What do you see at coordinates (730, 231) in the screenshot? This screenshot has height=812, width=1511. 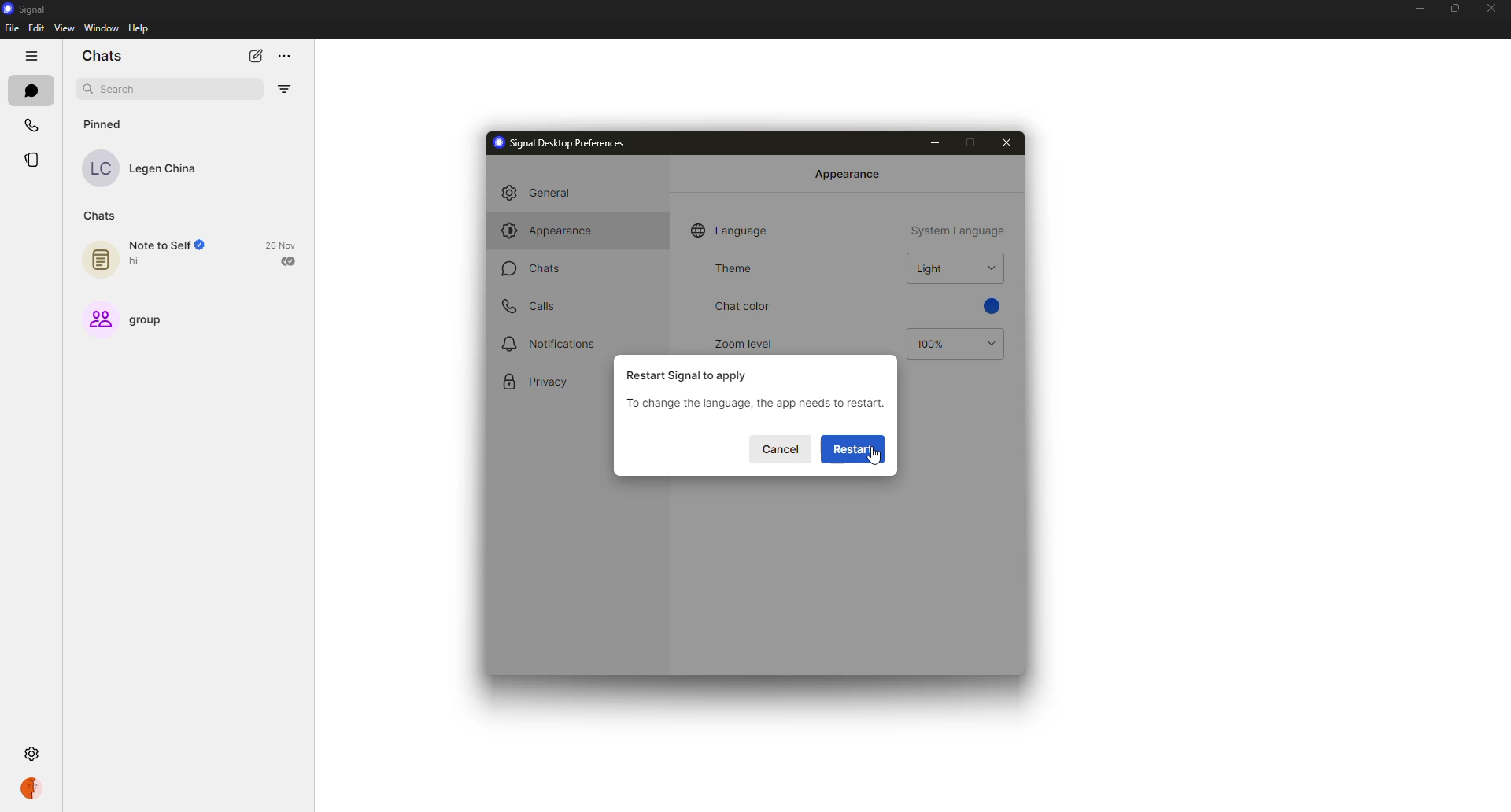 I see `language` at bounding box center [730, 231].